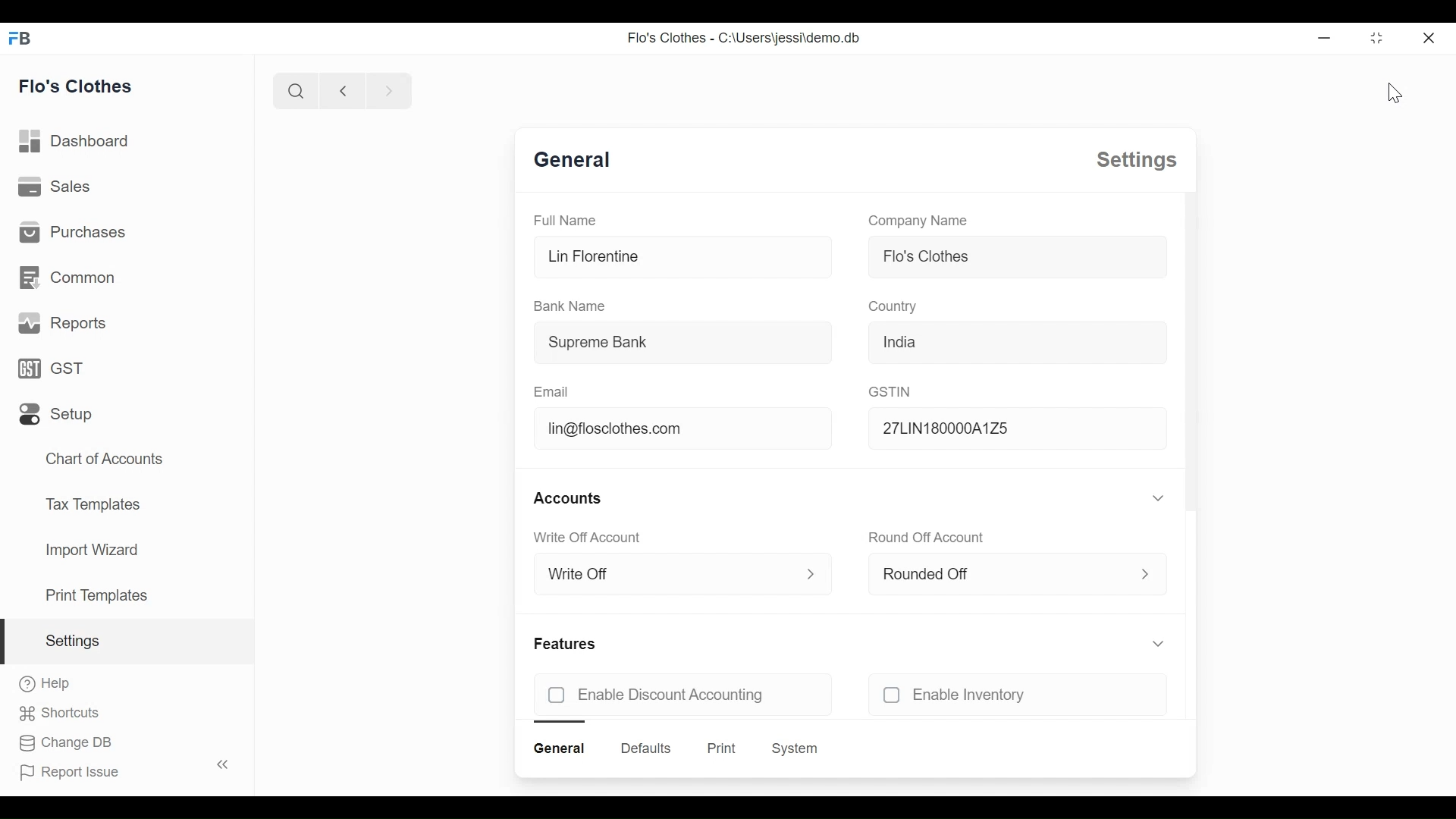  Describe the element at coordinates (592, 256) in the screenshot. I see `Lin Florentine` at that location.